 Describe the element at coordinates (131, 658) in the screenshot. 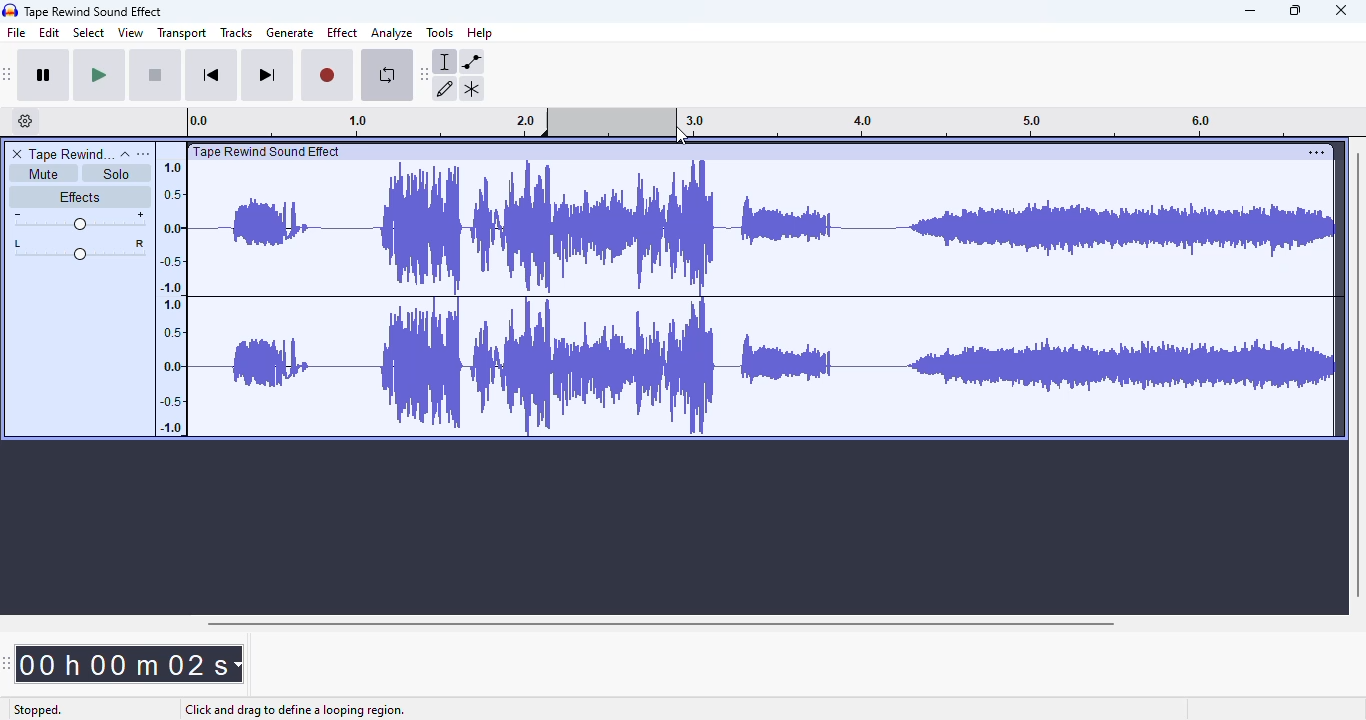

I see `00h 00 m 02 s` at that location.